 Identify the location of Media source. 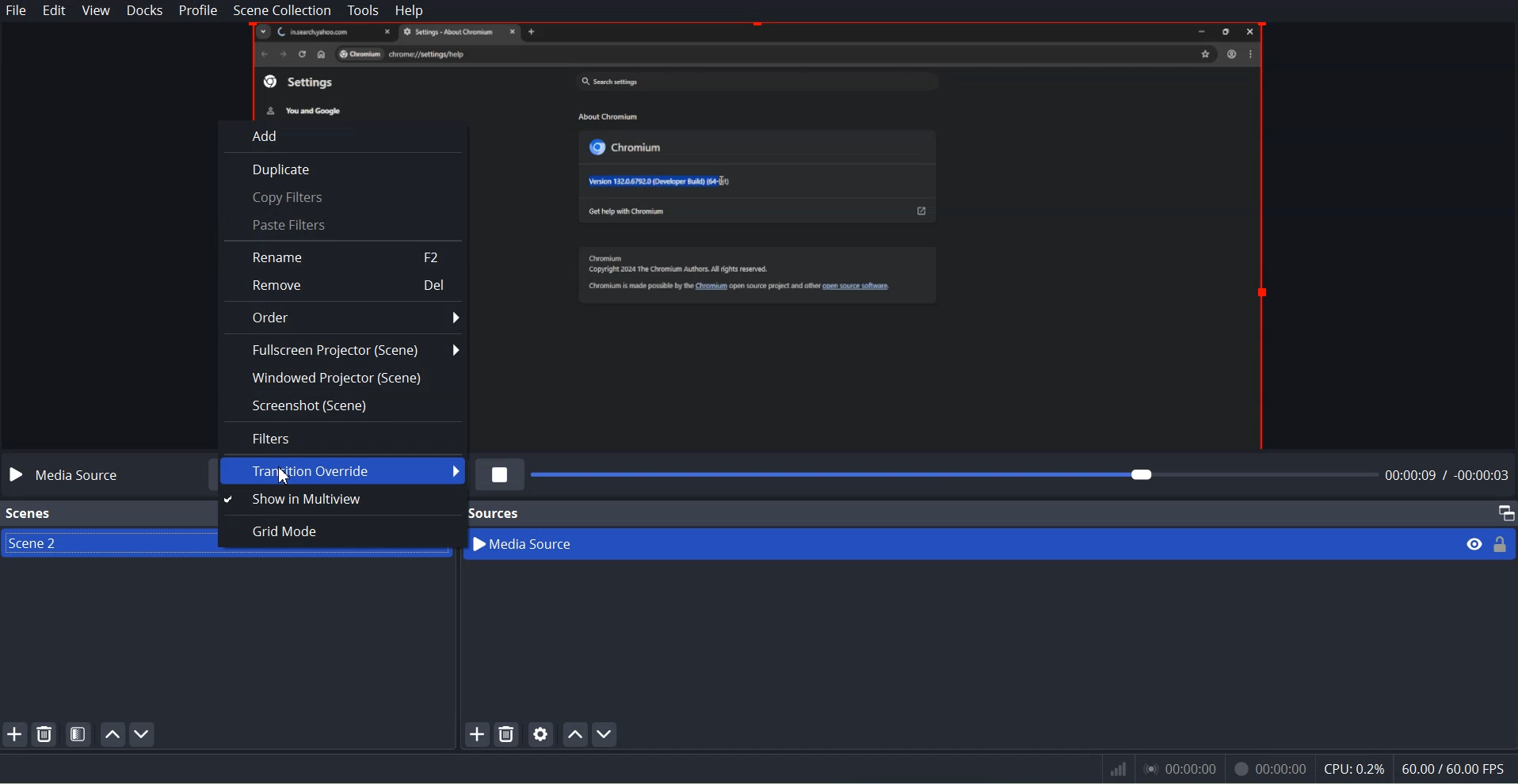
(66, 476).